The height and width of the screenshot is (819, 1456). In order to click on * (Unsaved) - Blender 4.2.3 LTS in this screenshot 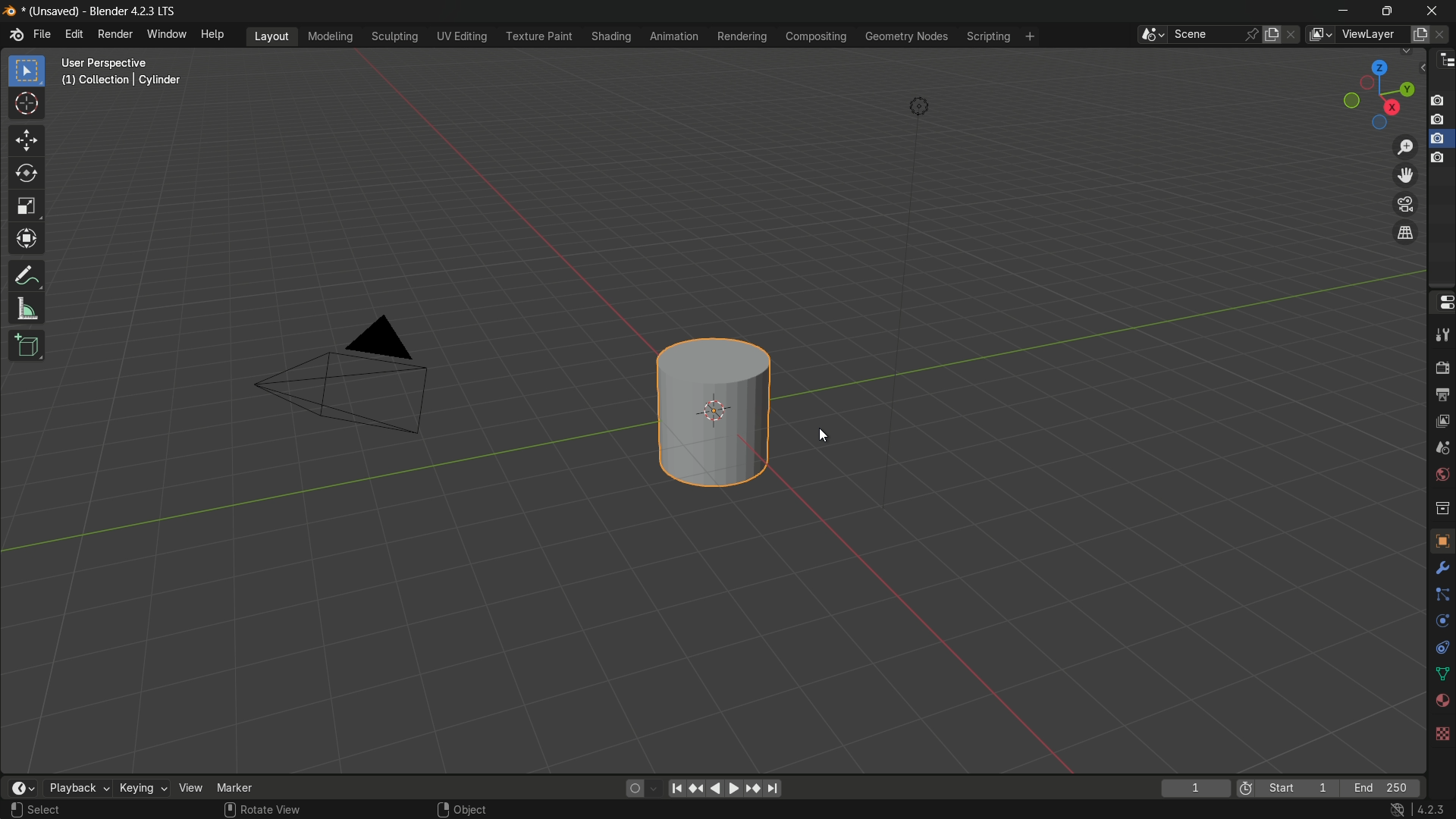, I will do `click(103, 11)`.